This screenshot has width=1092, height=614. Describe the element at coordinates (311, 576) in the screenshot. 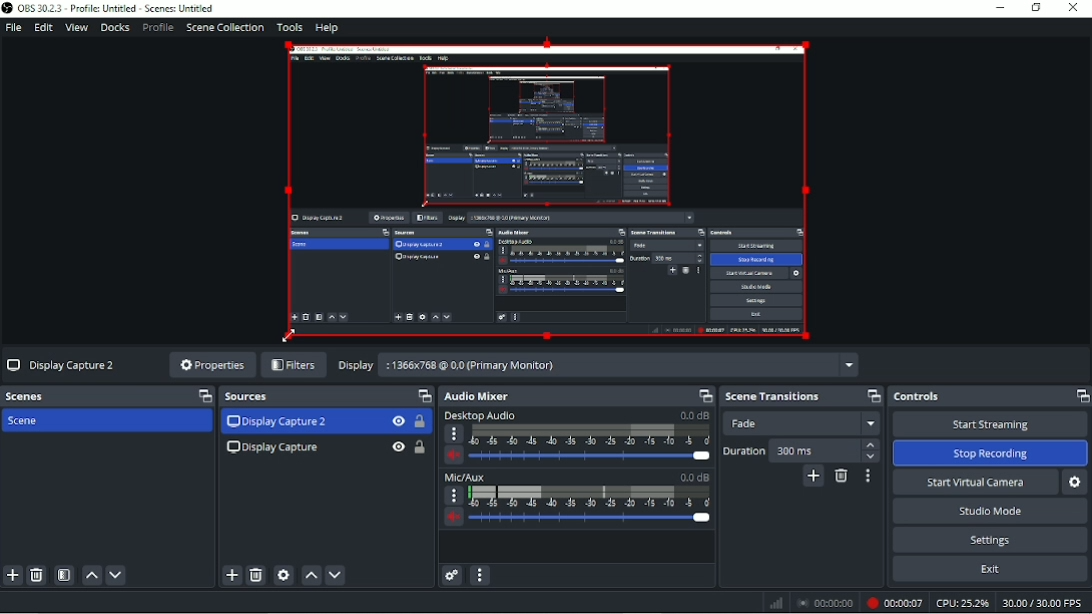

I see `Move source(s) up` at that location.